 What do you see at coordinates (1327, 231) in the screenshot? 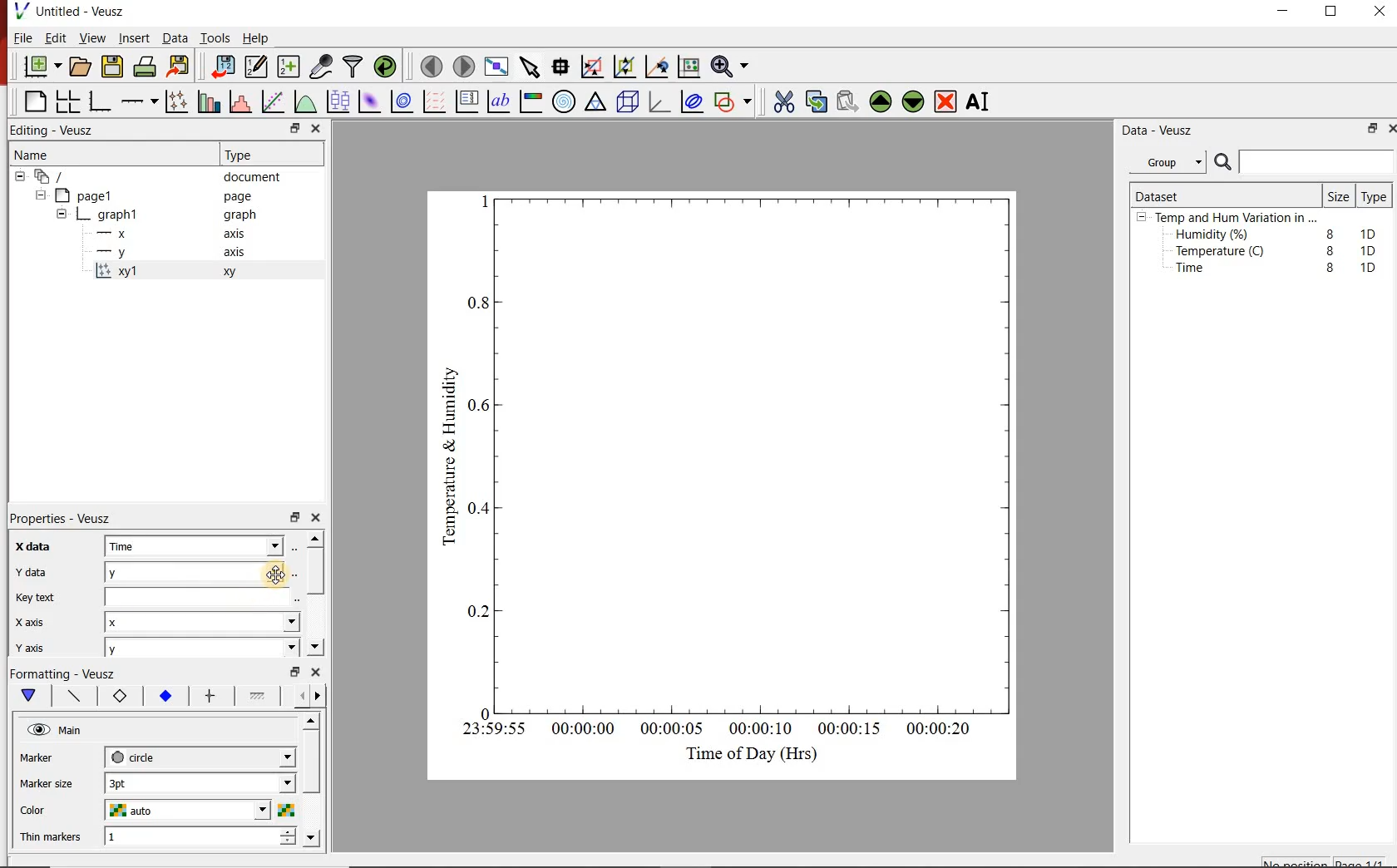
I see `8` at bounding box center [1327, 231].